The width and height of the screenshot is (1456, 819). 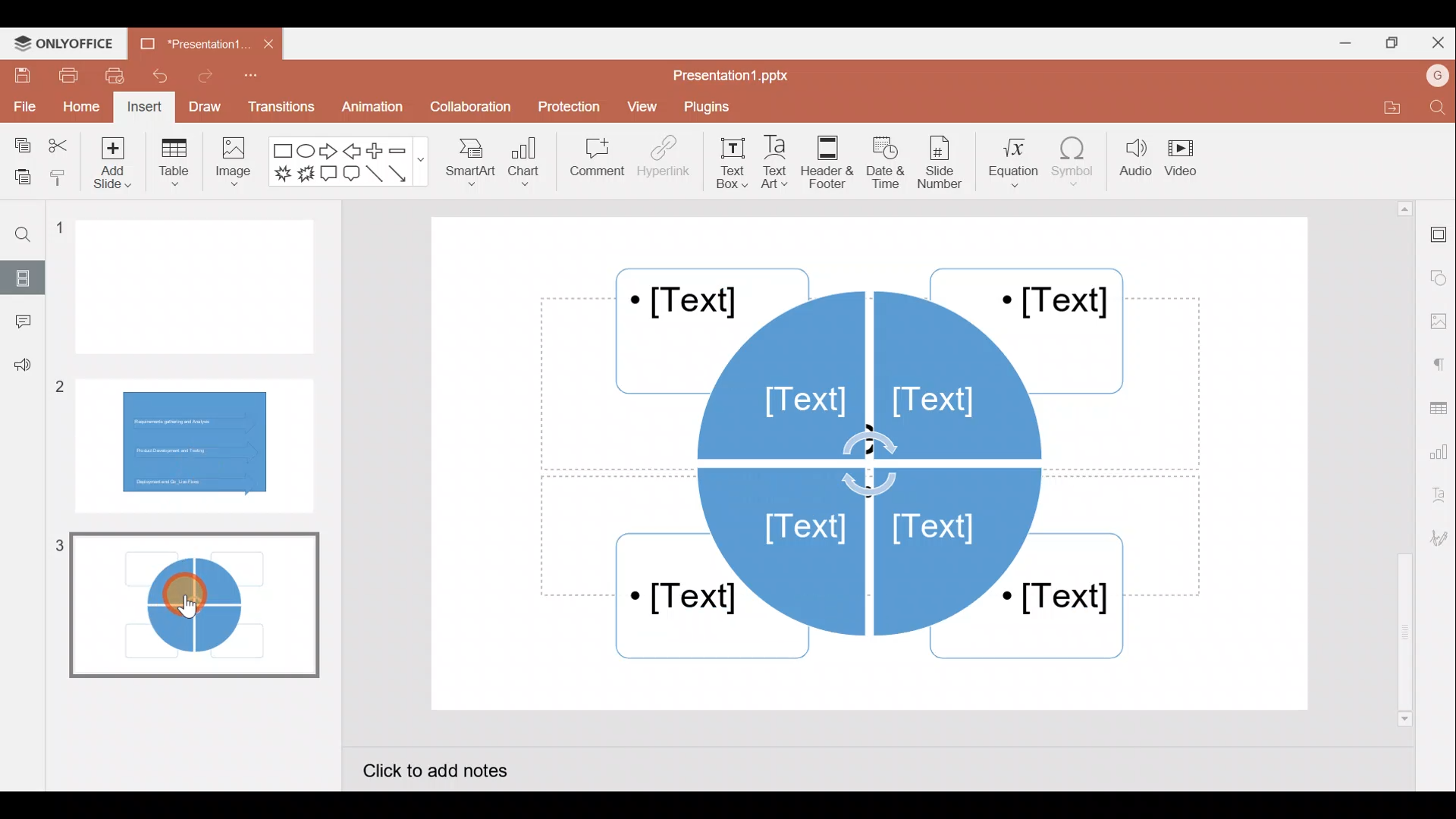 I want to click on Add slide, so click(x=109, y=165).